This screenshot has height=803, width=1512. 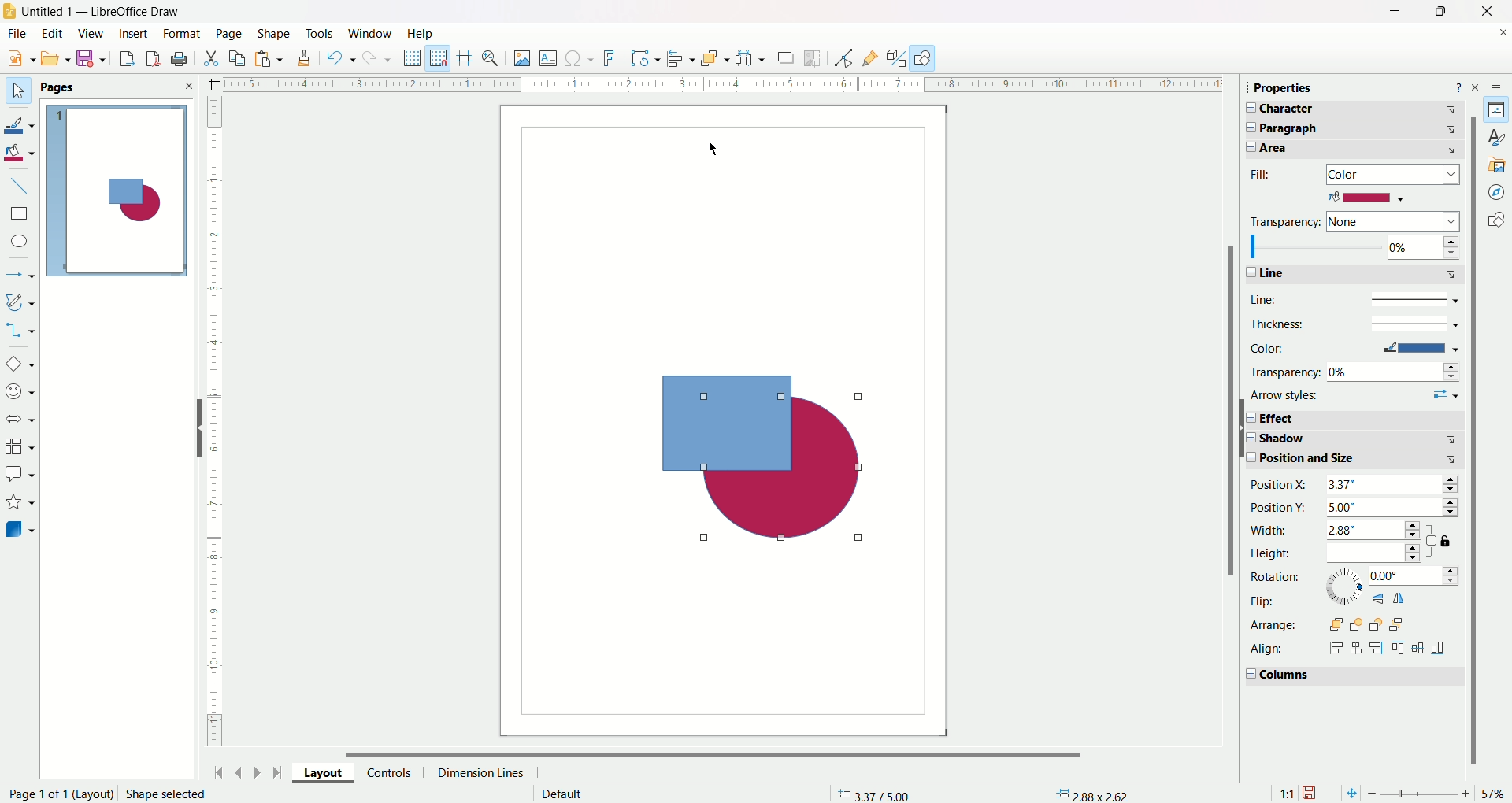 What do you see at coordinates (724, 753) in the screenshot?
I see `horizontal scroll bar` at bounding box center [724, 753].